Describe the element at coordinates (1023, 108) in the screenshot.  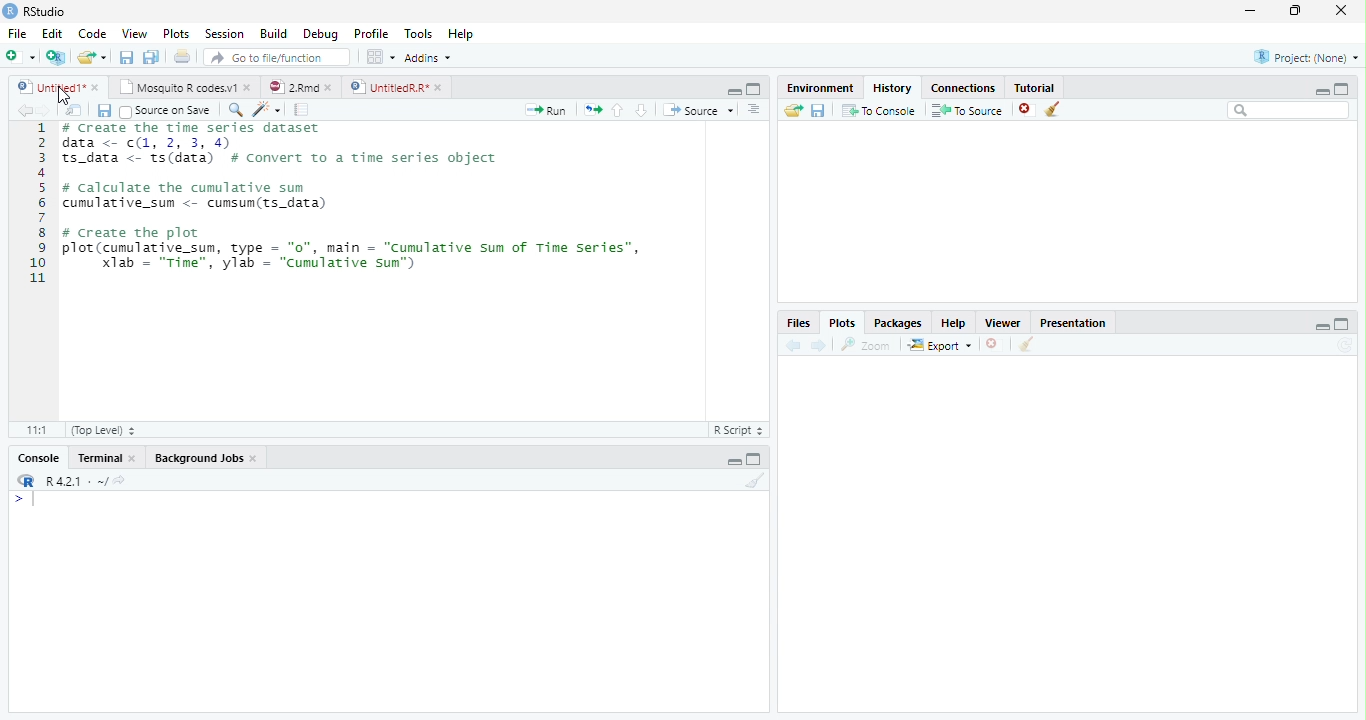
I see `Delete` at that location.